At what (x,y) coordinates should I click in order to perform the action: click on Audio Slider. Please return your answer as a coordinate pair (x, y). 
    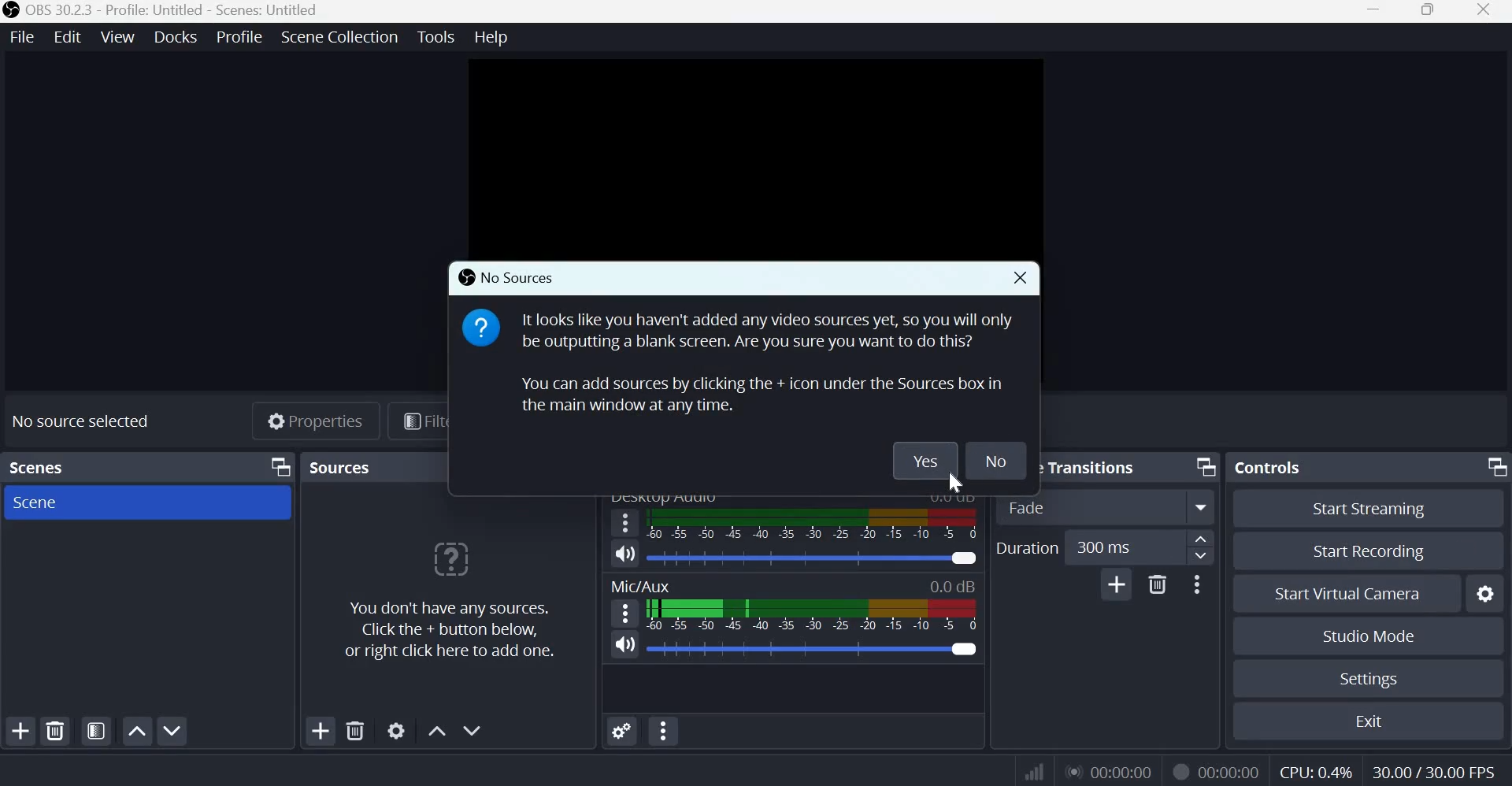
    Looking at the image, I should click on (962, 650).